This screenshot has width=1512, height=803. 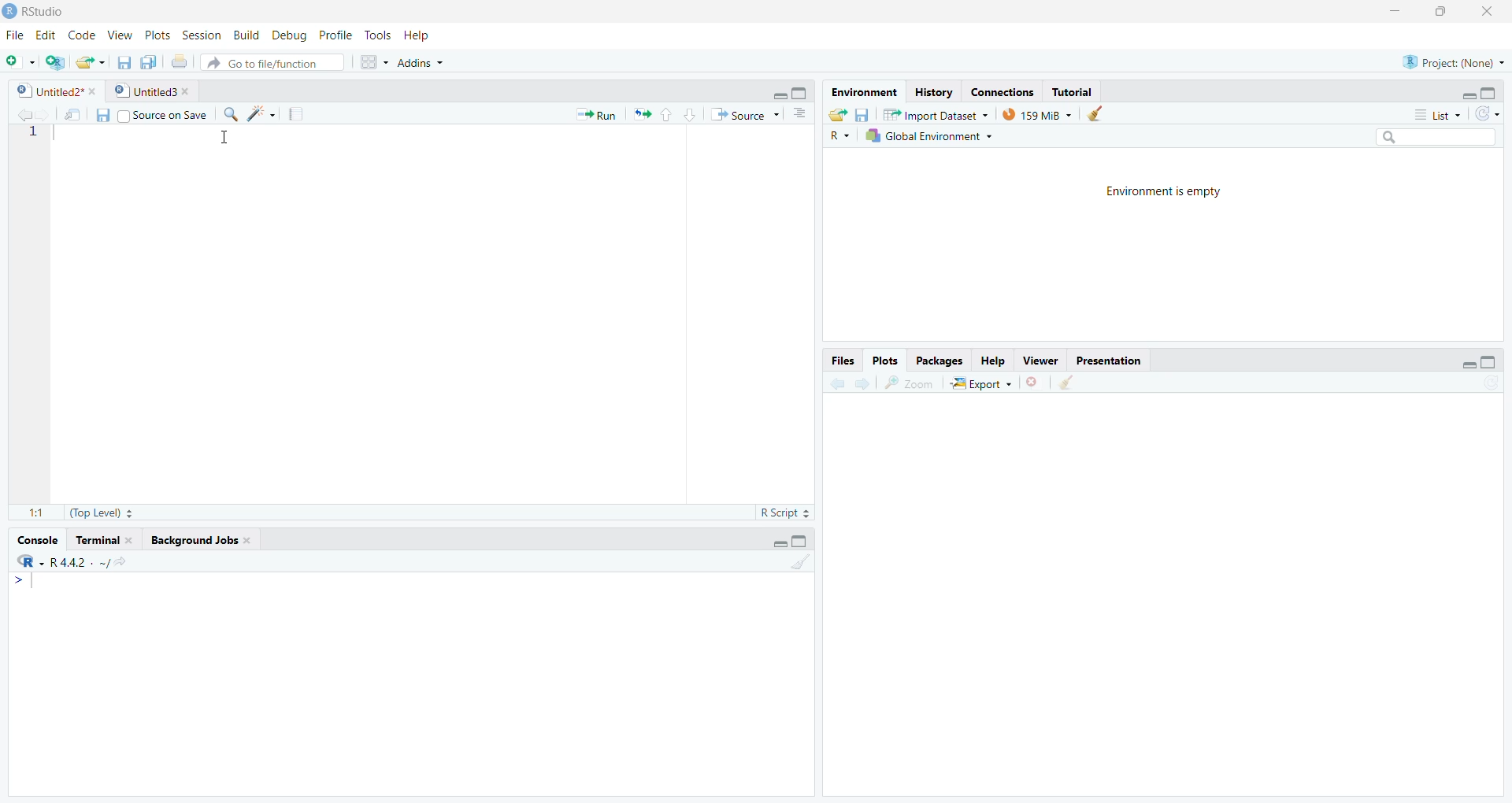 What do you see at coordinates (38, 12) in the screenshot?
I see `RStudio` at bounding box center [38, 12].